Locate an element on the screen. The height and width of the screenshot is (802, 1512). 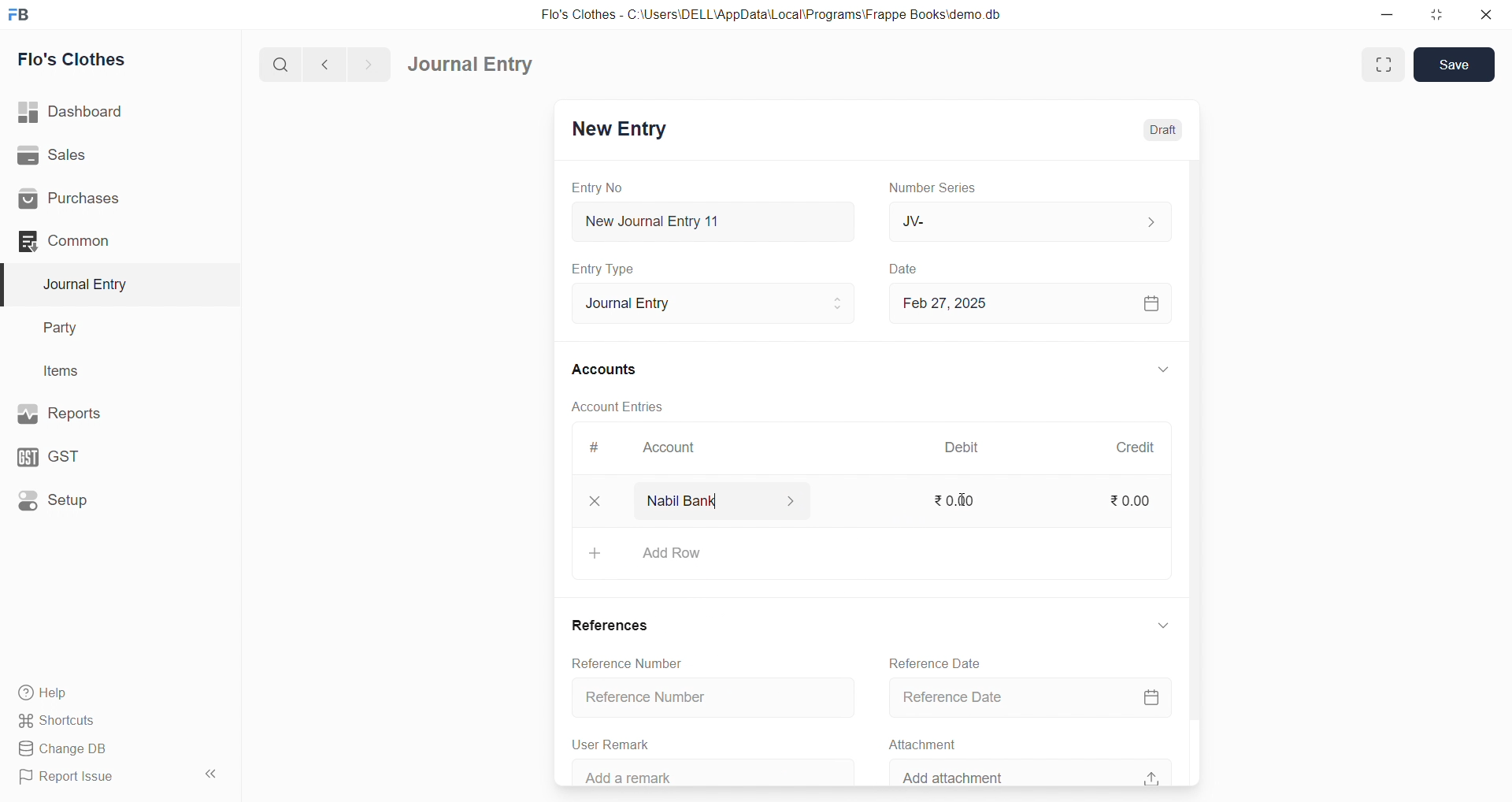
User Remark is located at coordinates (617, 744).